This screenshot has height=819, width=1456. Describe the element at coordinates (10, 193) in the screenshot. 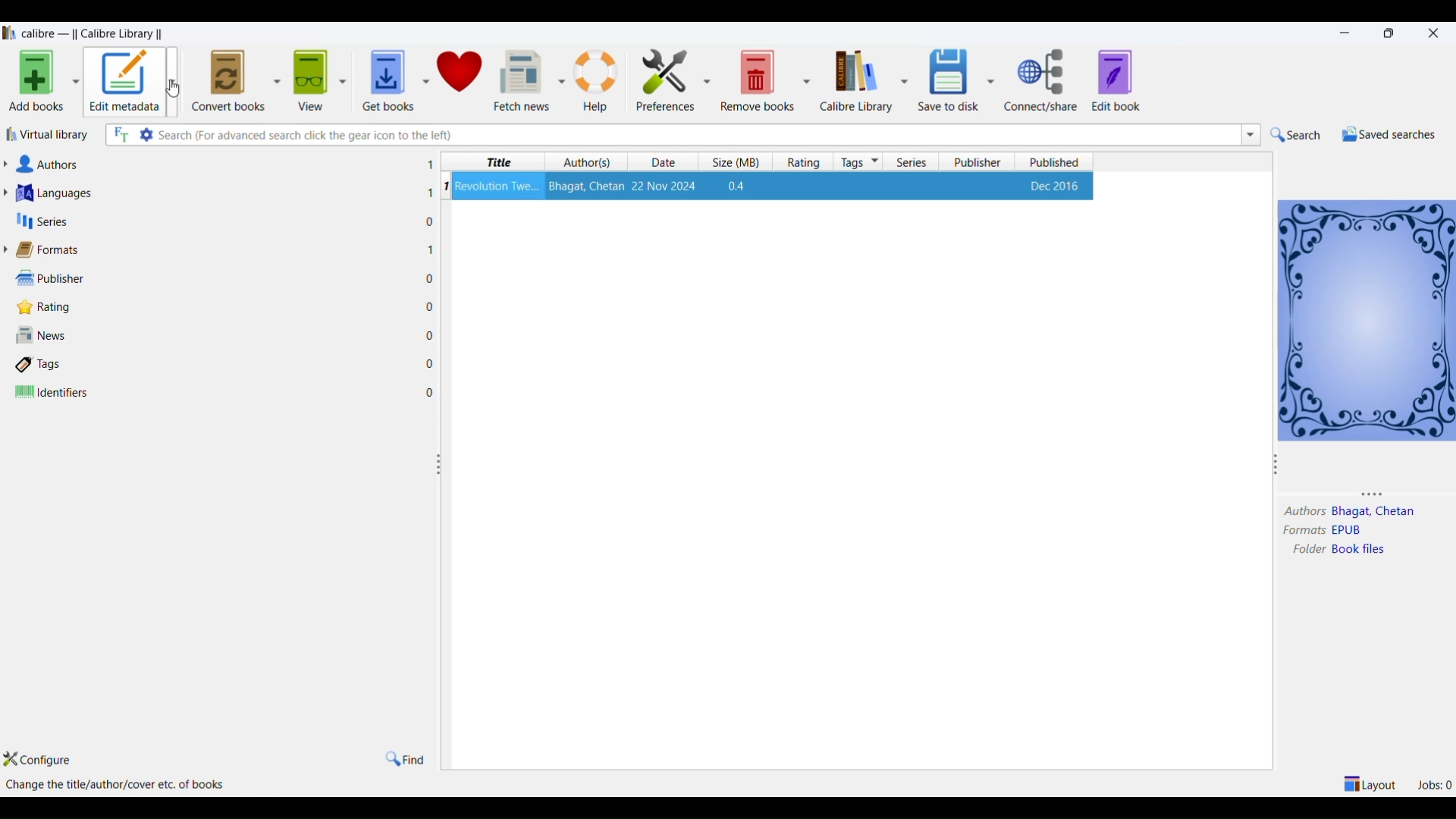

I see `view all languages dropdown button` at that location.